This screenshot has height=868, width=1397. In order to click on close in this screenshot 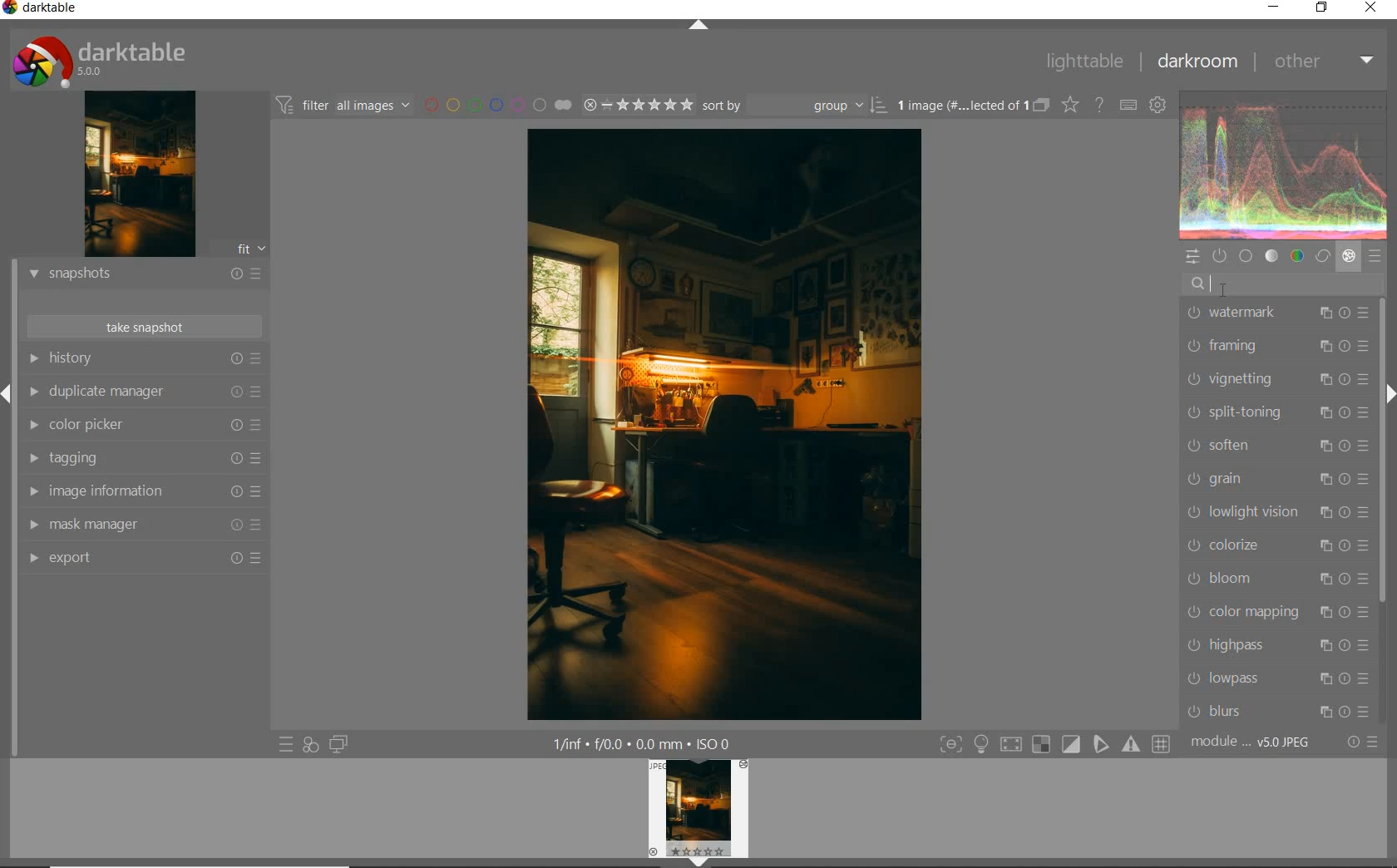, I will do `click(1371, 7)`.